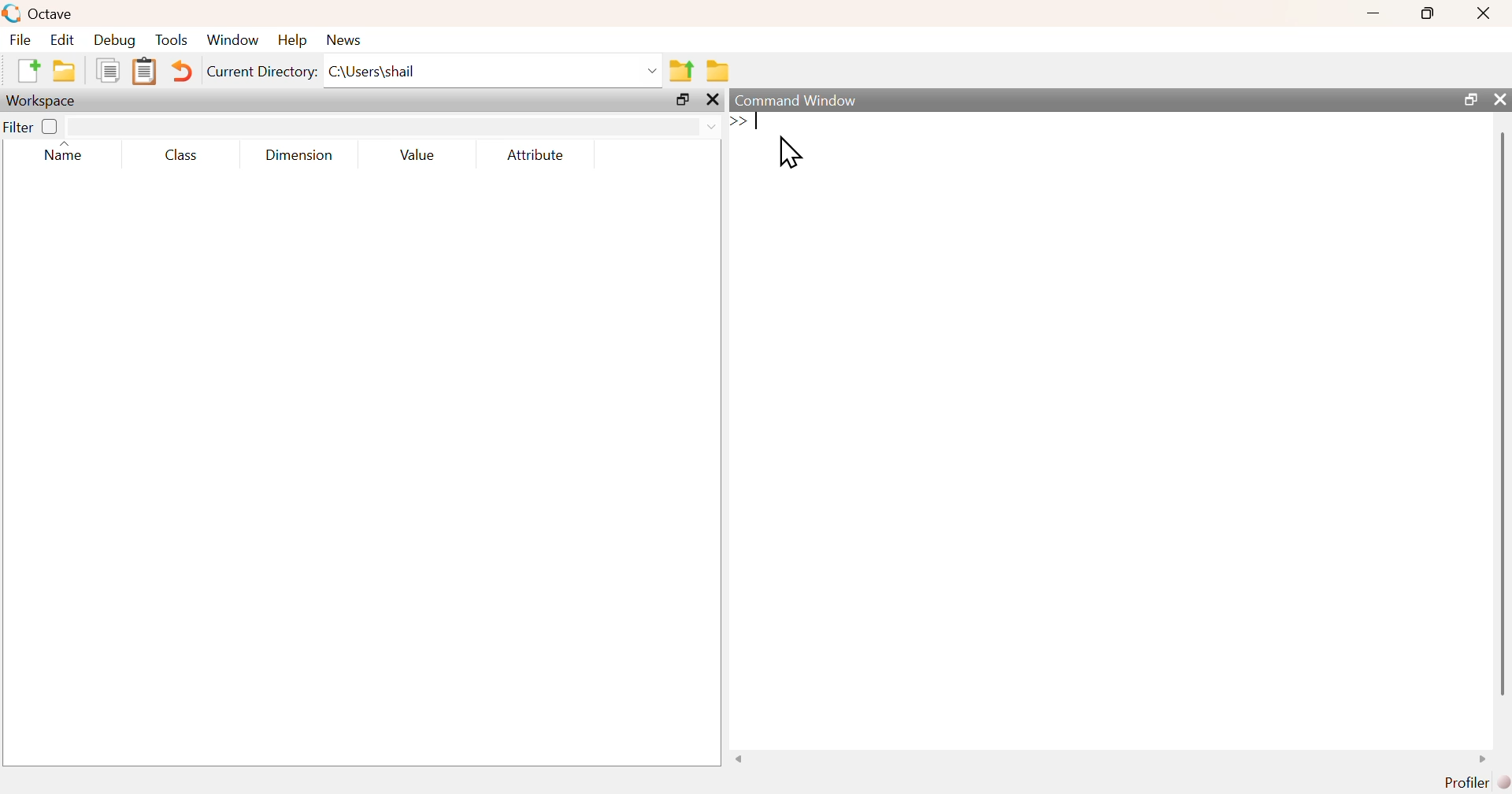  What do you see at coordinates (537, 154) in the screenshot?
I see `Attribute` at bounding box center [537, 154].